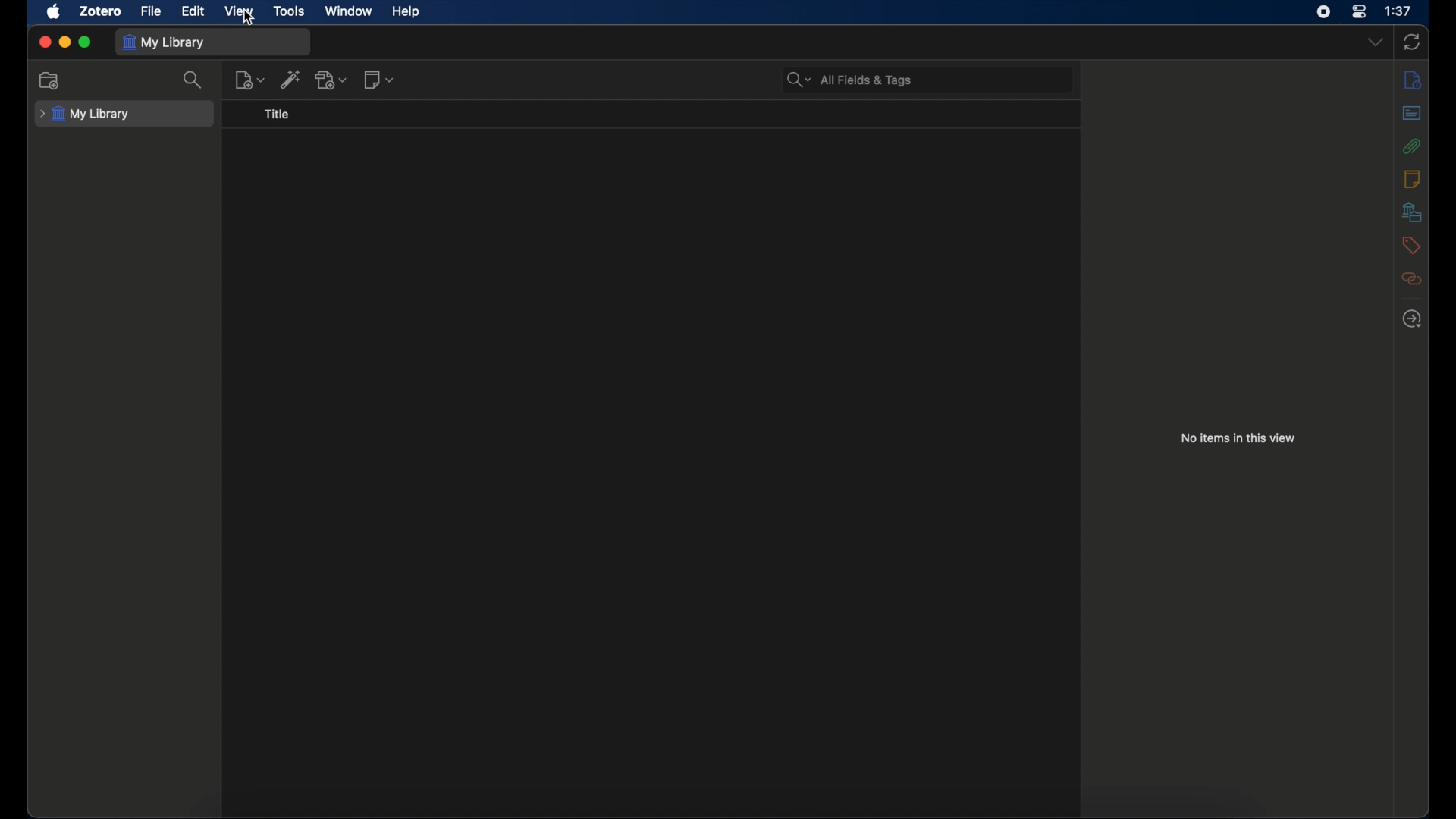 This screenshot has height=819, width=1456. What do you see at coordinates (167, 43) in the screenshot?
I see `my library` at bounding box center [167, 43].